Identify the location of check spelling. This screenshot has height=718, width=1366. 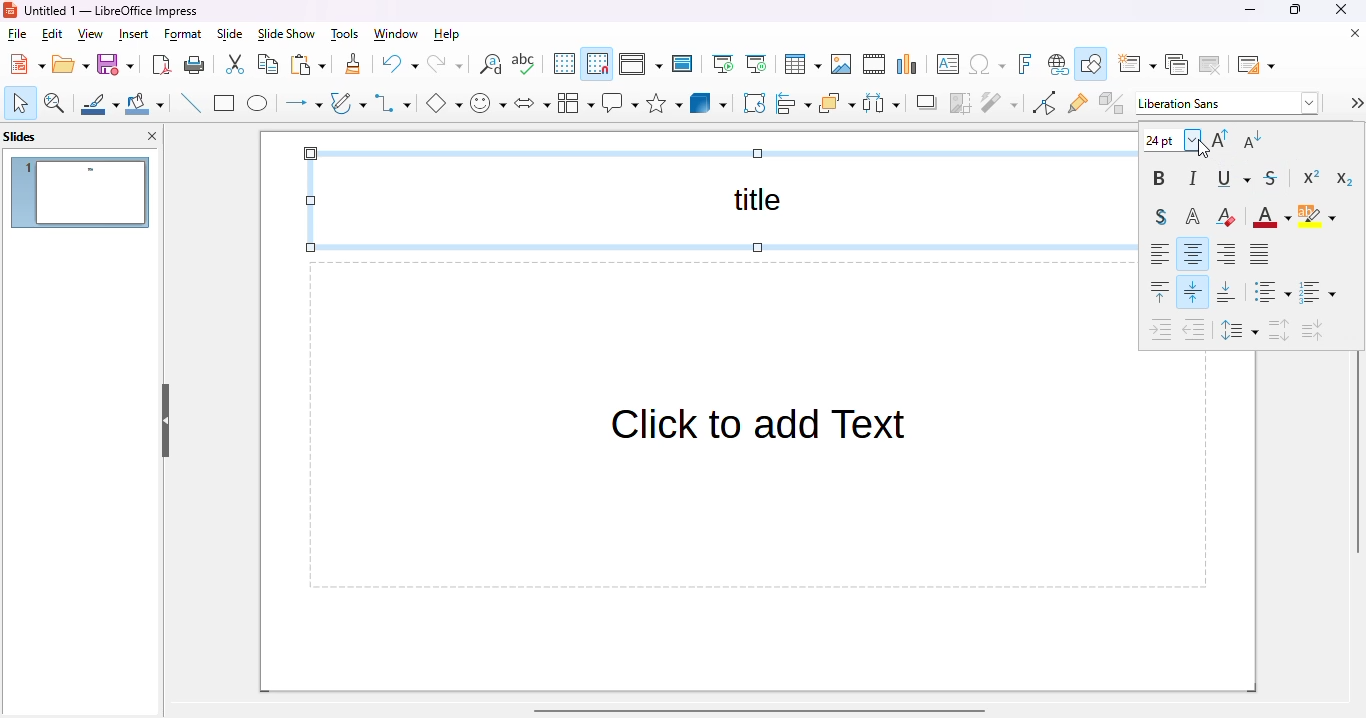
(523, 63).